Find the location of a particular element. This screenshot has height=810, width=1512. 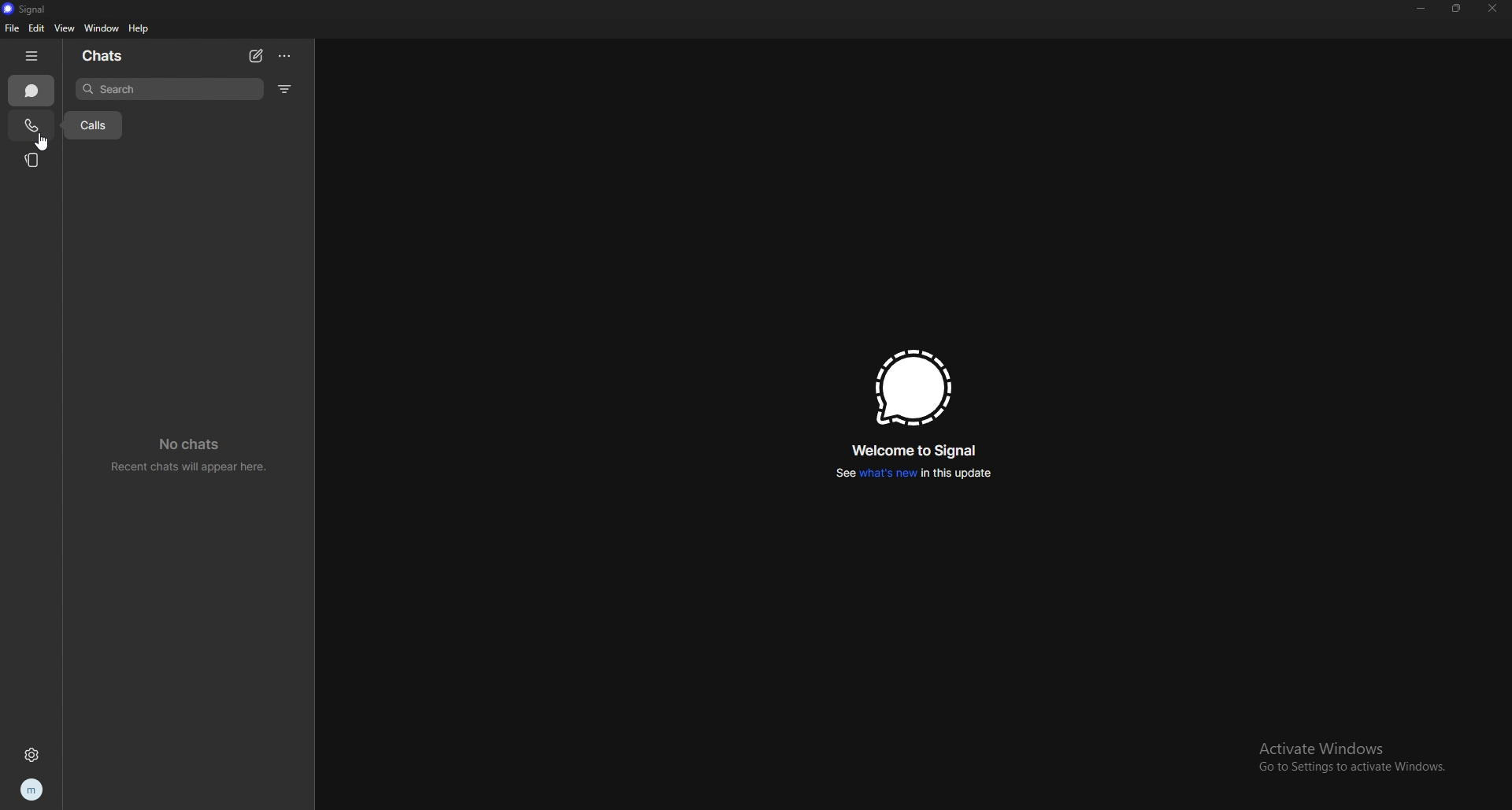

signal logo is located at coordinates (914, 387).